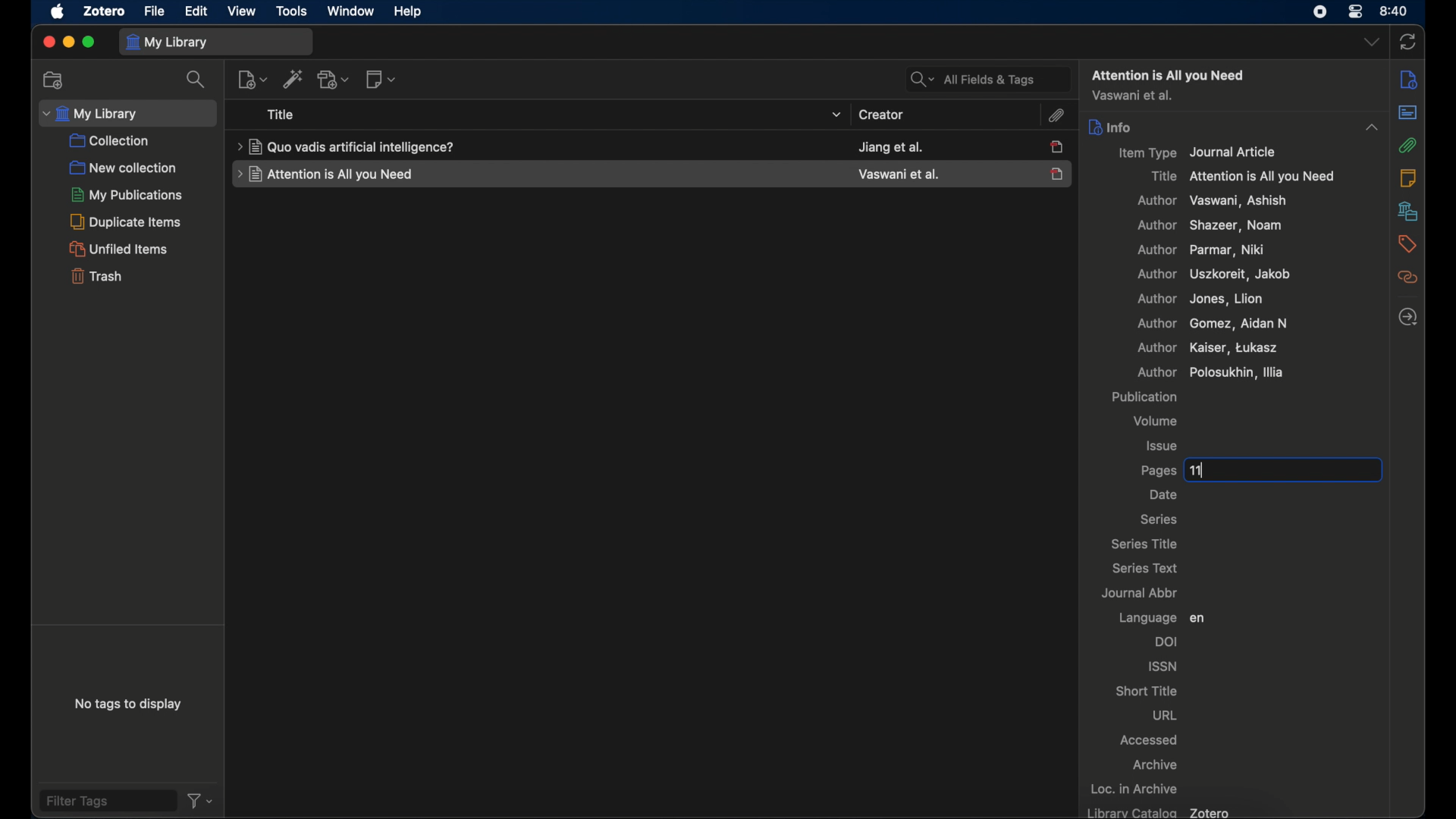  What do you see at coordinates (281, 115) in the screenshot?
I see `title` at bounding box center [281, 115].